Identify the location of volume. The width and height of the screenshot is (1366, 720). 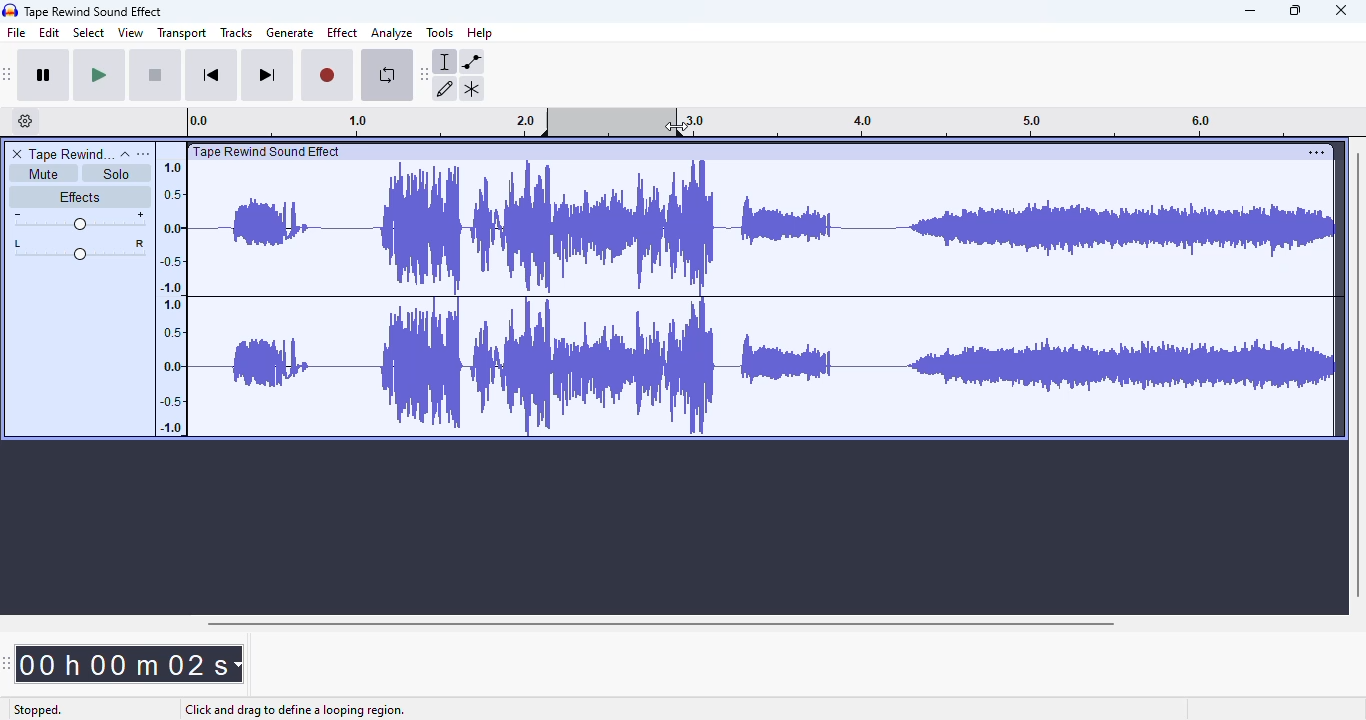
(79, 222).